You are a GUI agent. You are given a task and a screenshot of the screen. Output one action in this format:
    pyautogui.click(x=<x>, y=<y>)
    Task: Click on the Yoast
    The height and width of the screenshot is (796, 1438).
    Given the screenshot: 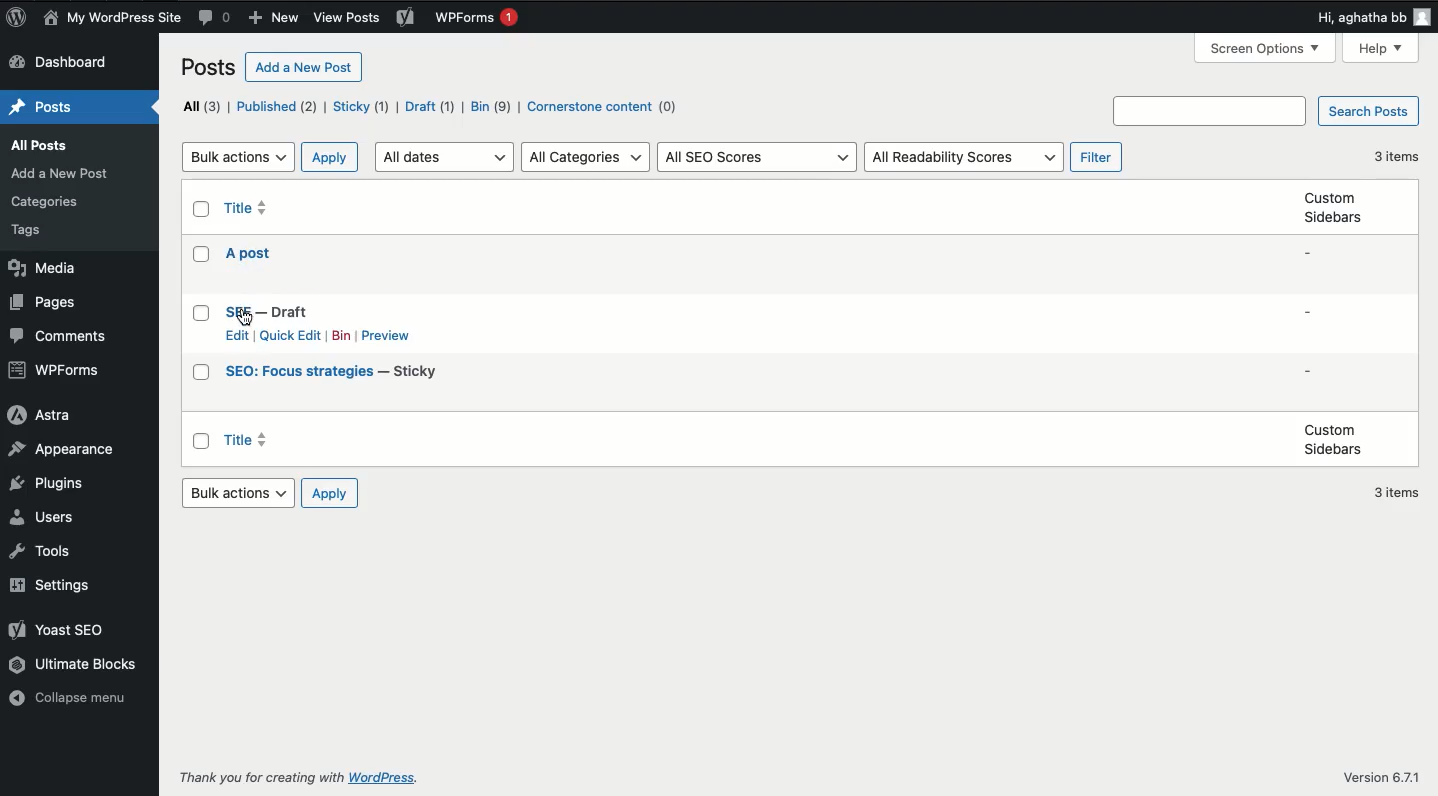 What is the action you would take?
    pyautogui.click(x=63, y=628)
    